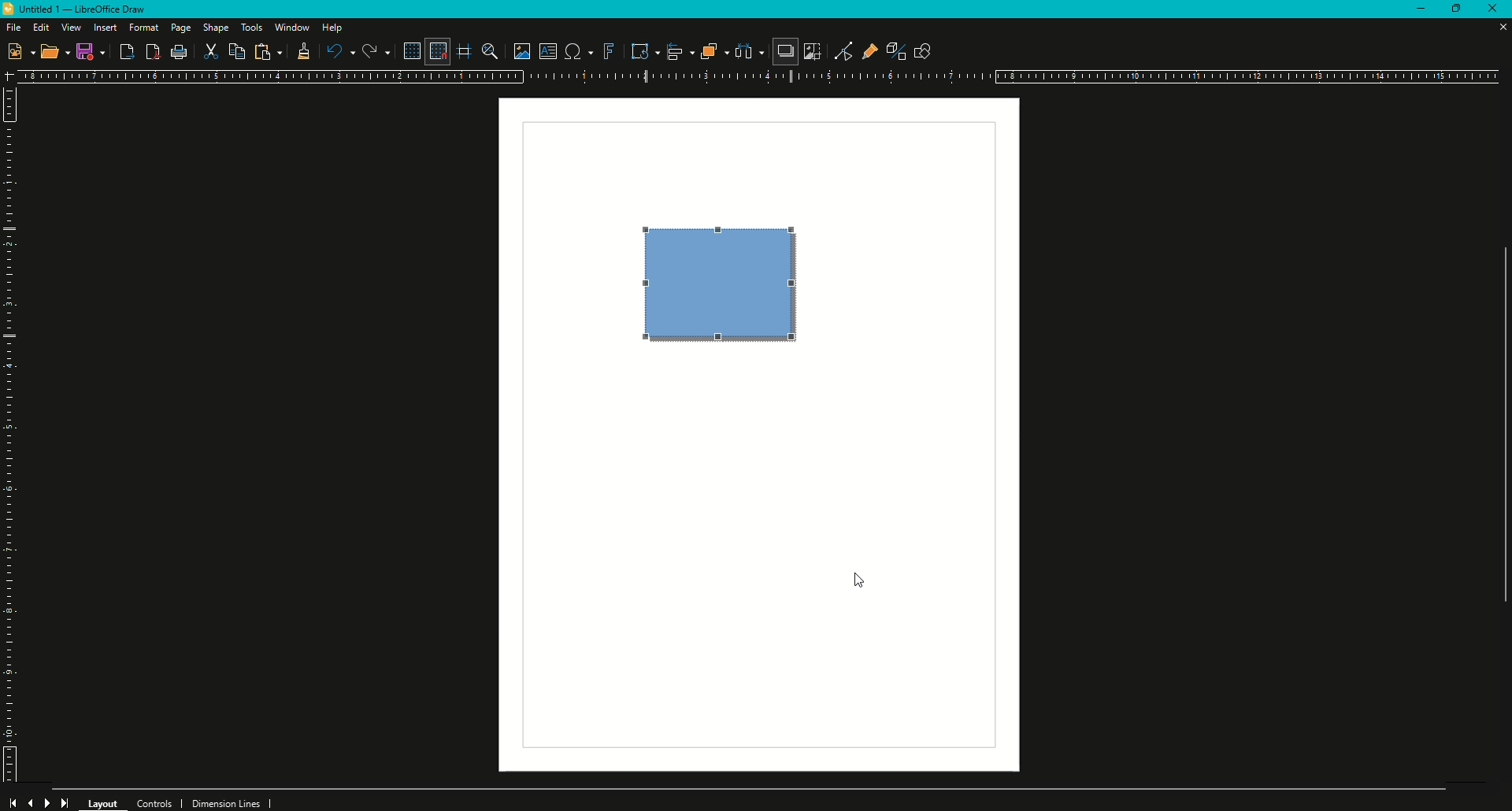 Image resolution: width=1512 pixels, height=811 pixels. I want to click on Crop Image, so click(812, 51).